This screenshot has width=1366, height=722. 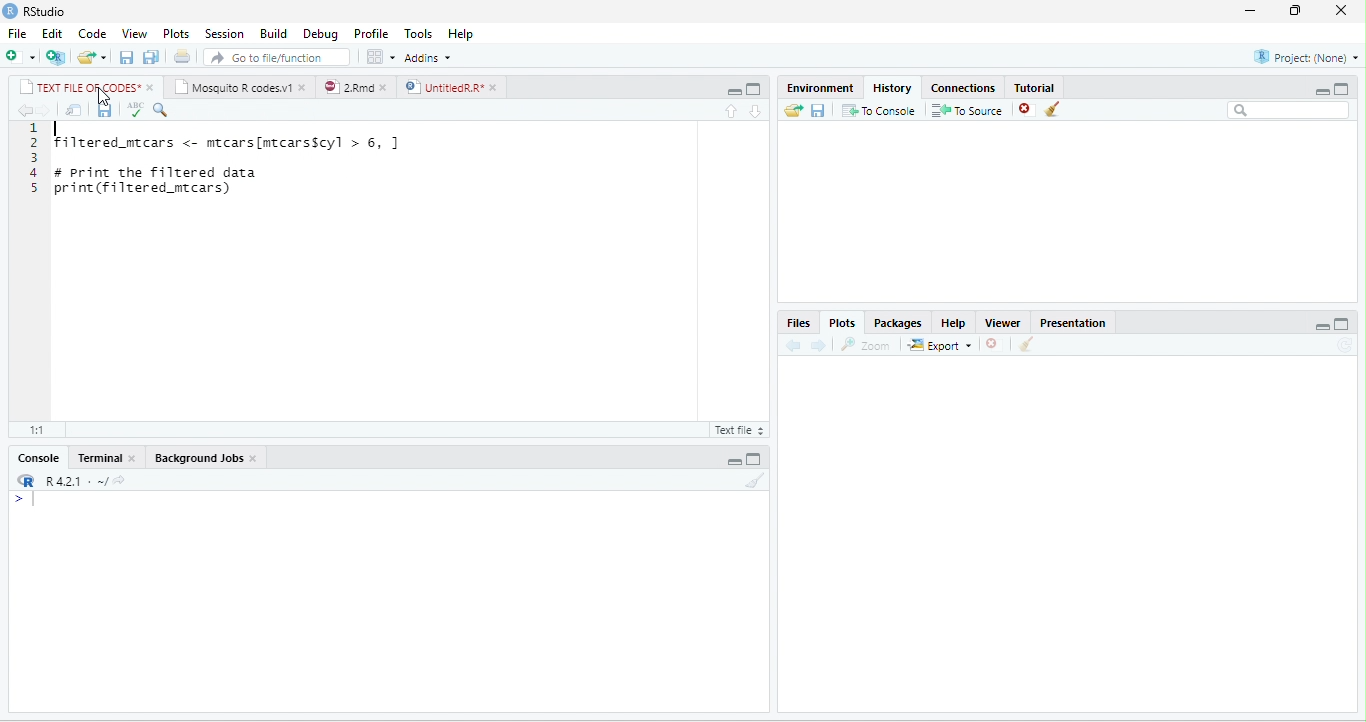 I want to click on close, so click(x=254, y=459).